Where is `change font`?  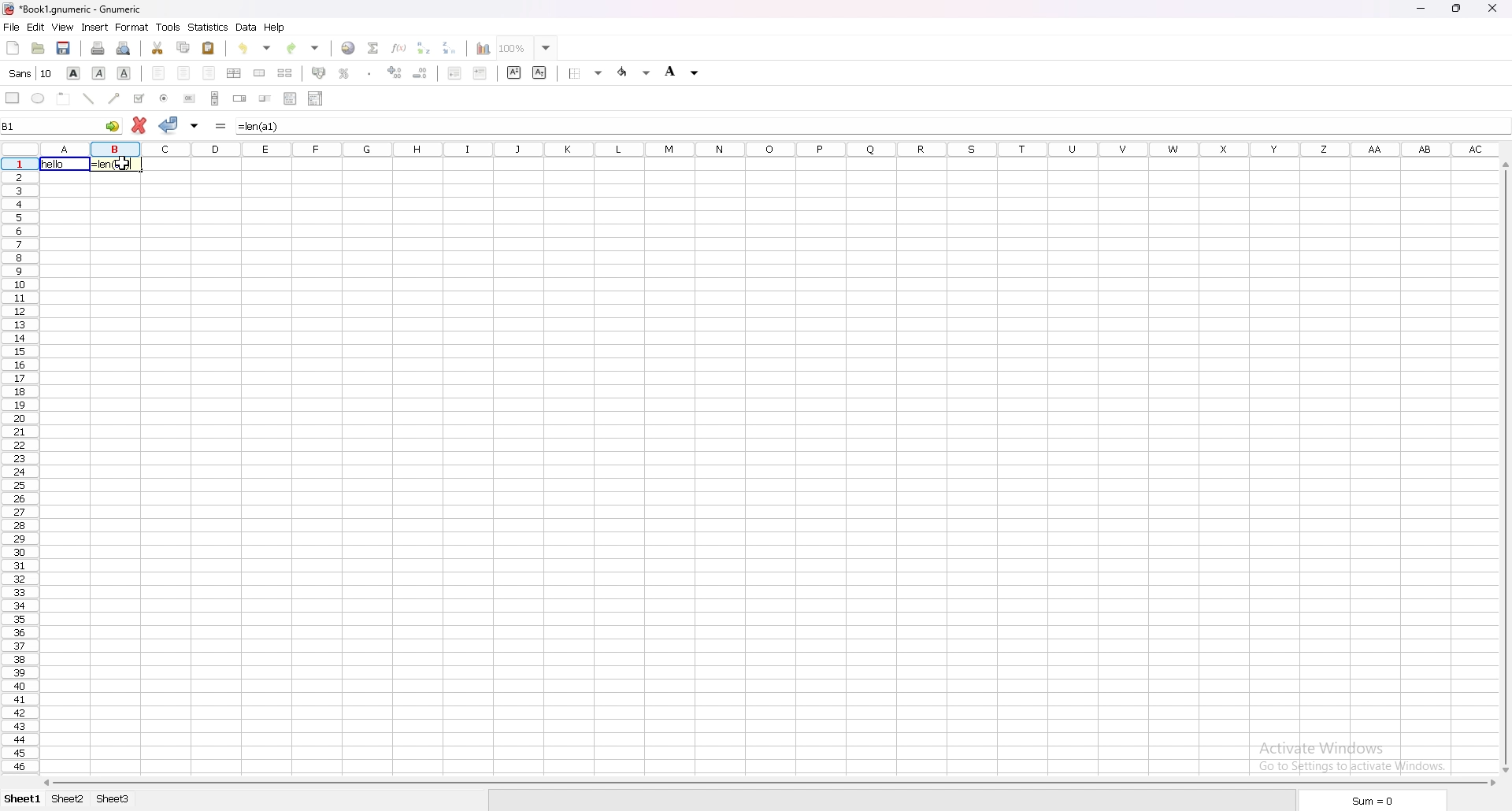
change font is located at coordinates (30, 73).